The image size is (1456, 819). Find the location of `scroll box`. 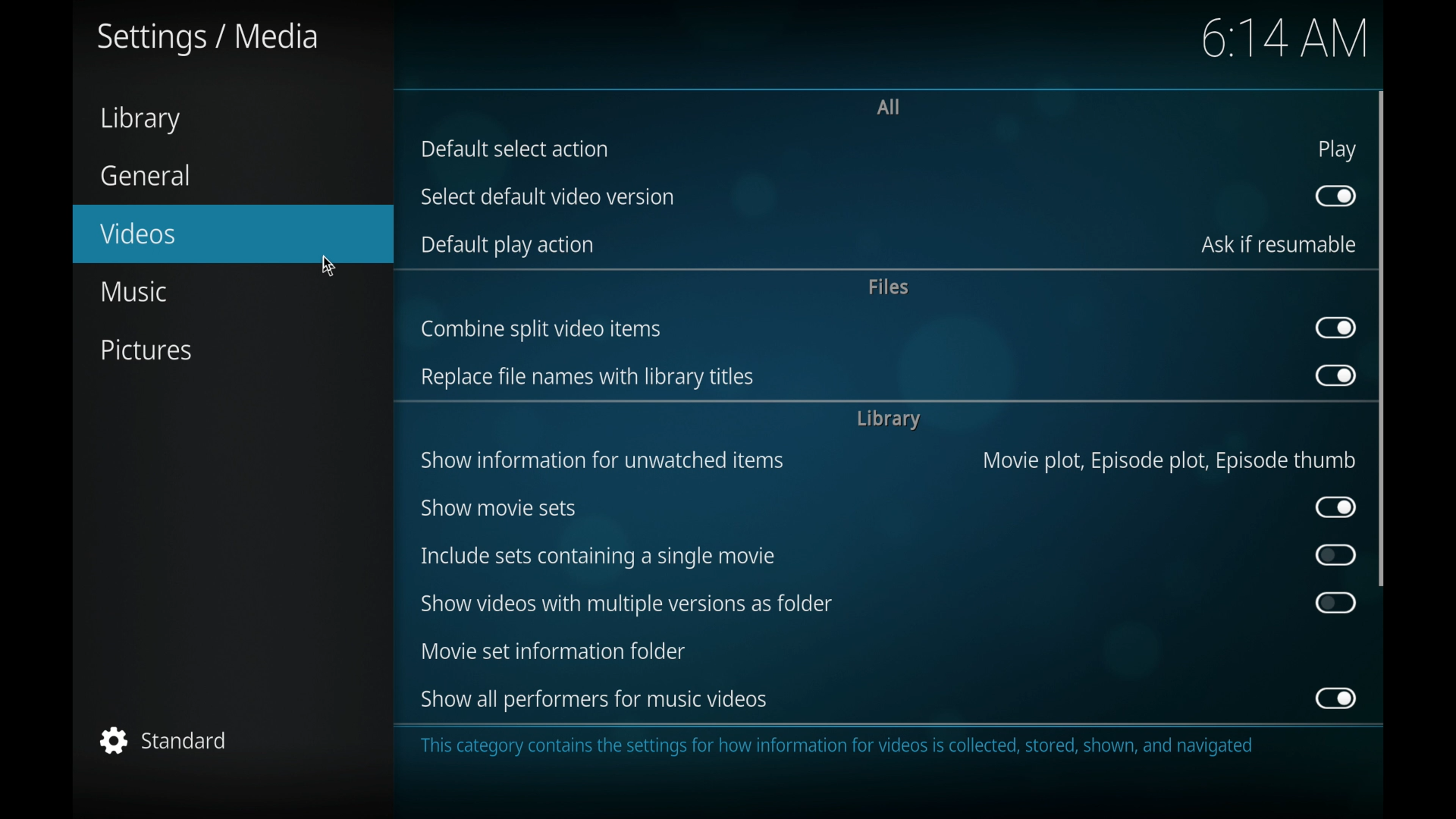

scroll box is located at coordinates (1382, 338).